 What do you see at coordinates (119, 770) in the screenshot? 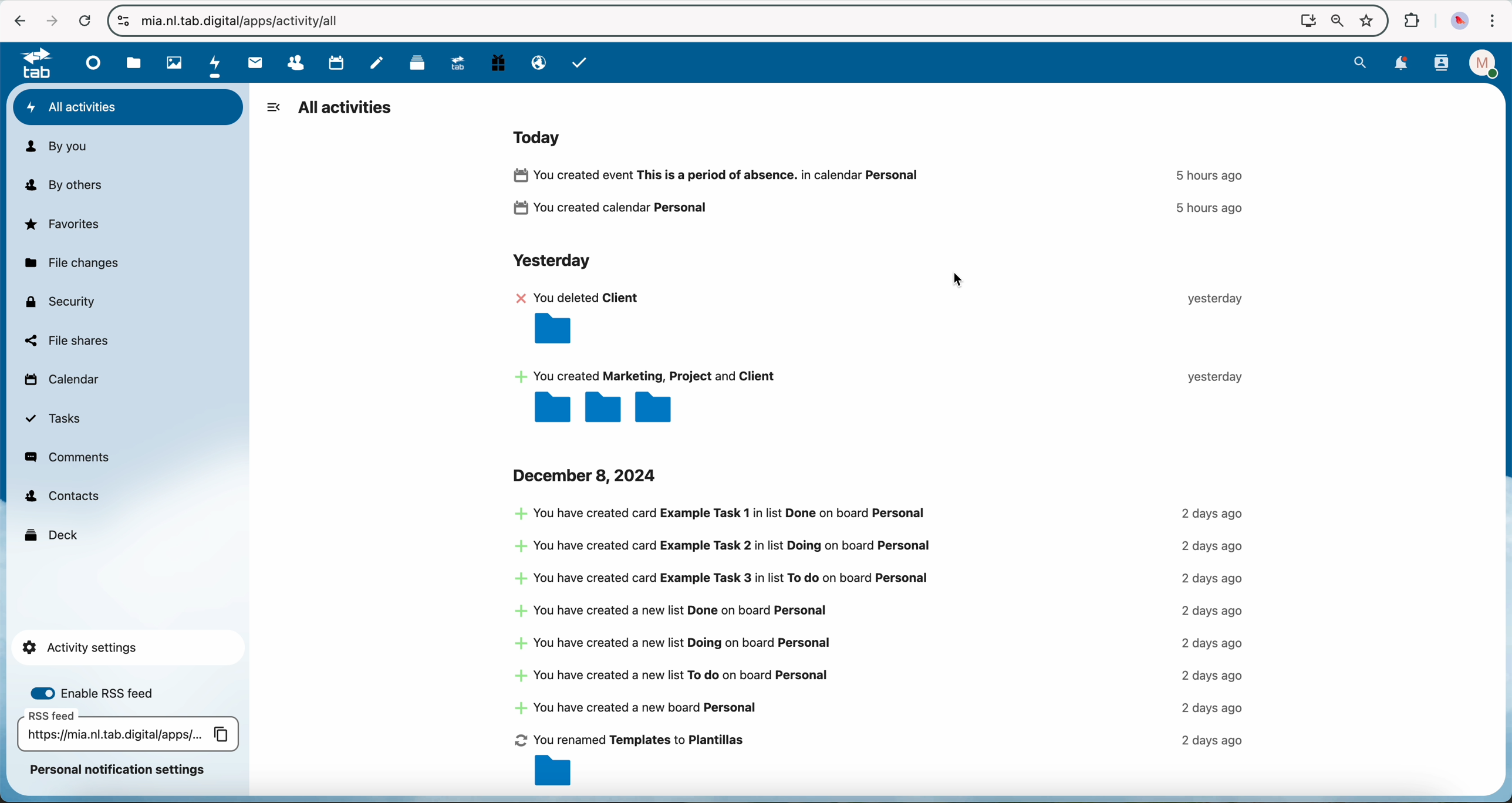
I see `personal notification settings` at bounding box center [119, 770].